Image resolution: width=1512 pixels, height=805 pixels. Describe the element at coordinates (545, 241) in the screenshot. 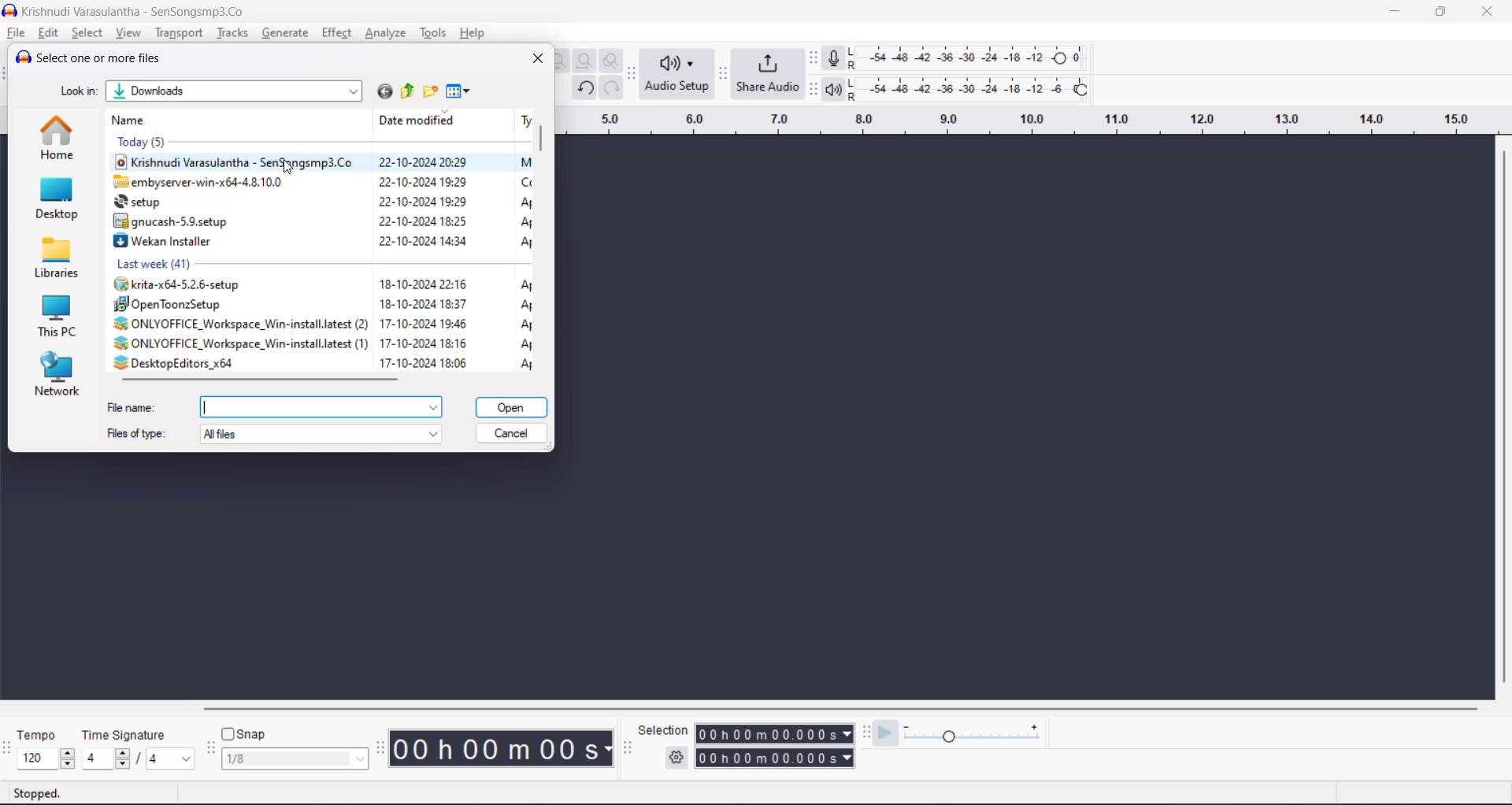

I see `vertical scrollbar` at that location.